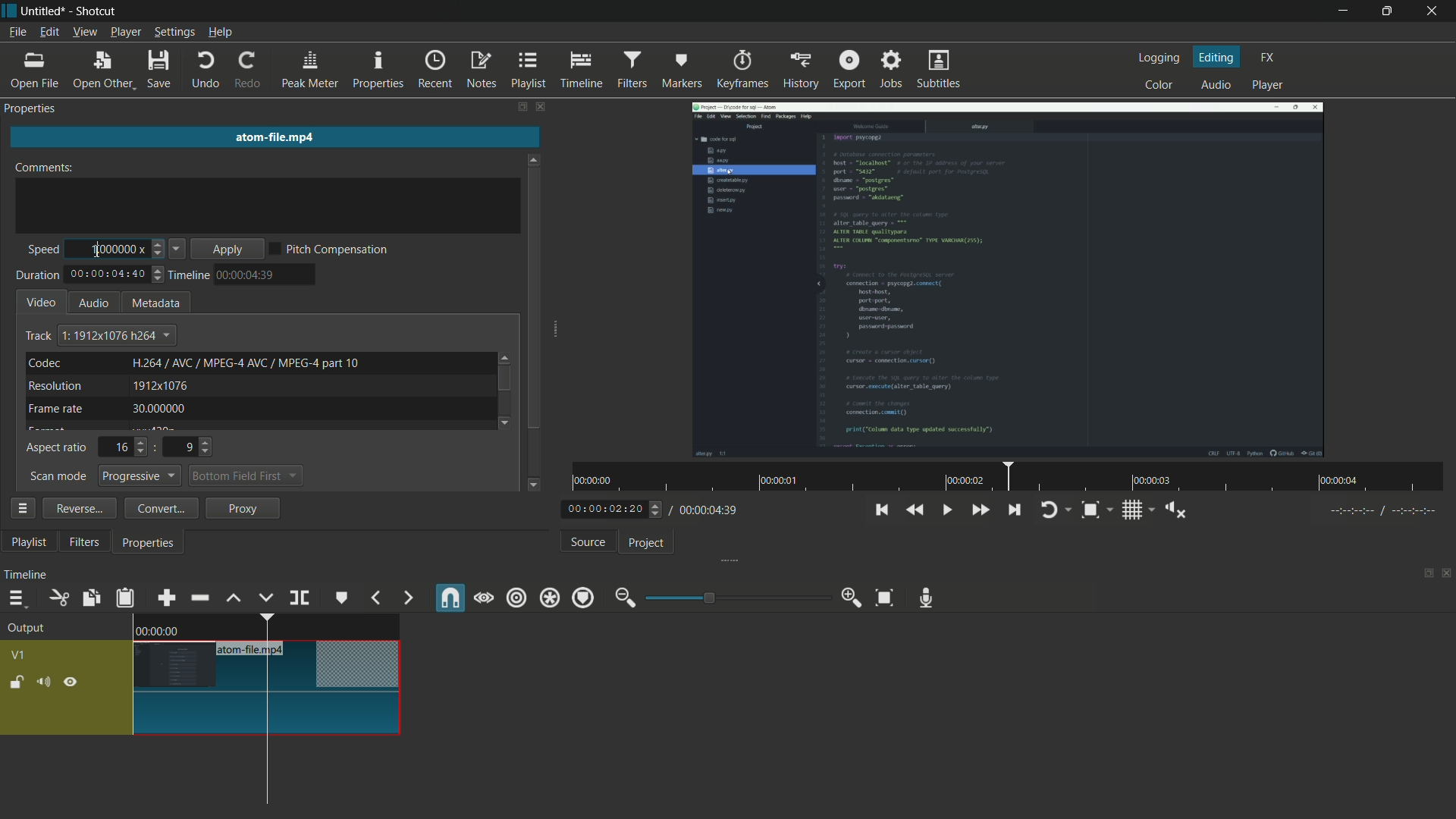  What do you see at coordinates (1389, 10) in the screenshot?
I see `maximize` at bounding box center [1389, 10].